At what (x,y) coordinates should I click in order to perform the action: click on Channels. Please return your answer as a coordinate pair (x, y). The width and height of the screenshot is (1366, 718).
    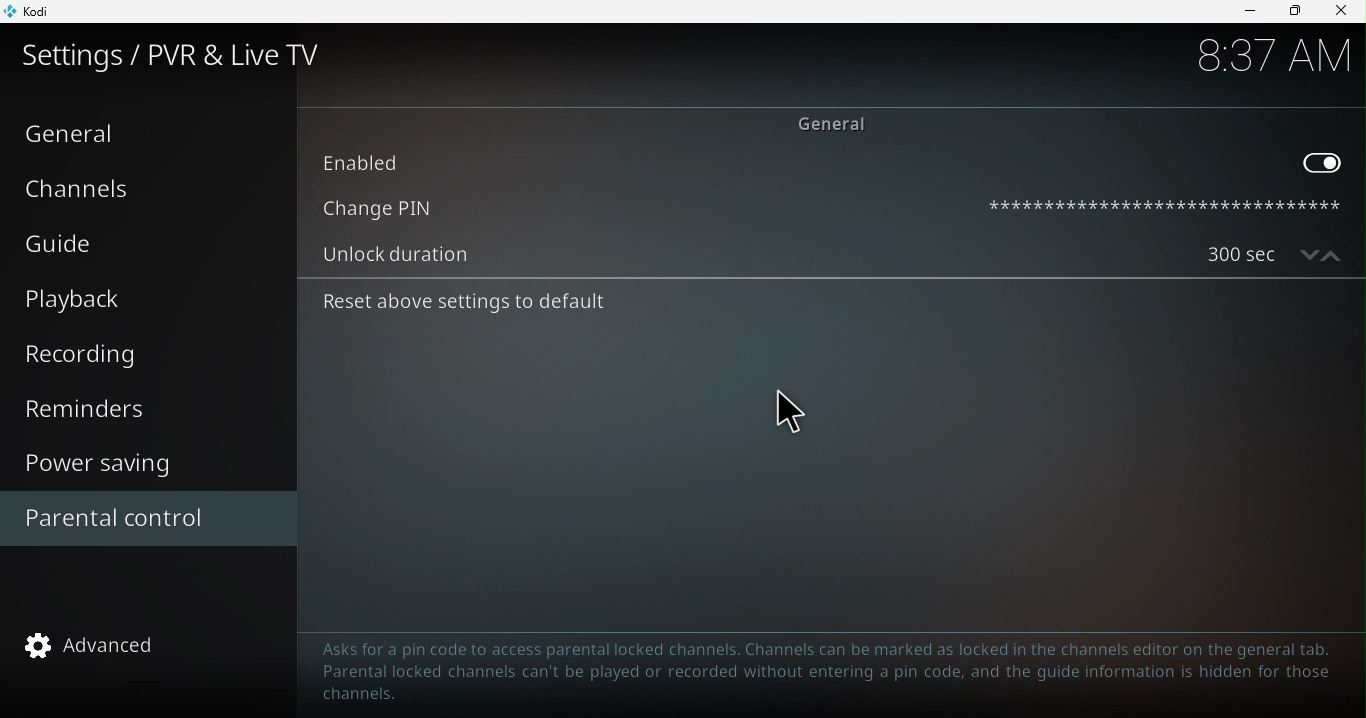
    Looking at the image, I should click on (142, 187).